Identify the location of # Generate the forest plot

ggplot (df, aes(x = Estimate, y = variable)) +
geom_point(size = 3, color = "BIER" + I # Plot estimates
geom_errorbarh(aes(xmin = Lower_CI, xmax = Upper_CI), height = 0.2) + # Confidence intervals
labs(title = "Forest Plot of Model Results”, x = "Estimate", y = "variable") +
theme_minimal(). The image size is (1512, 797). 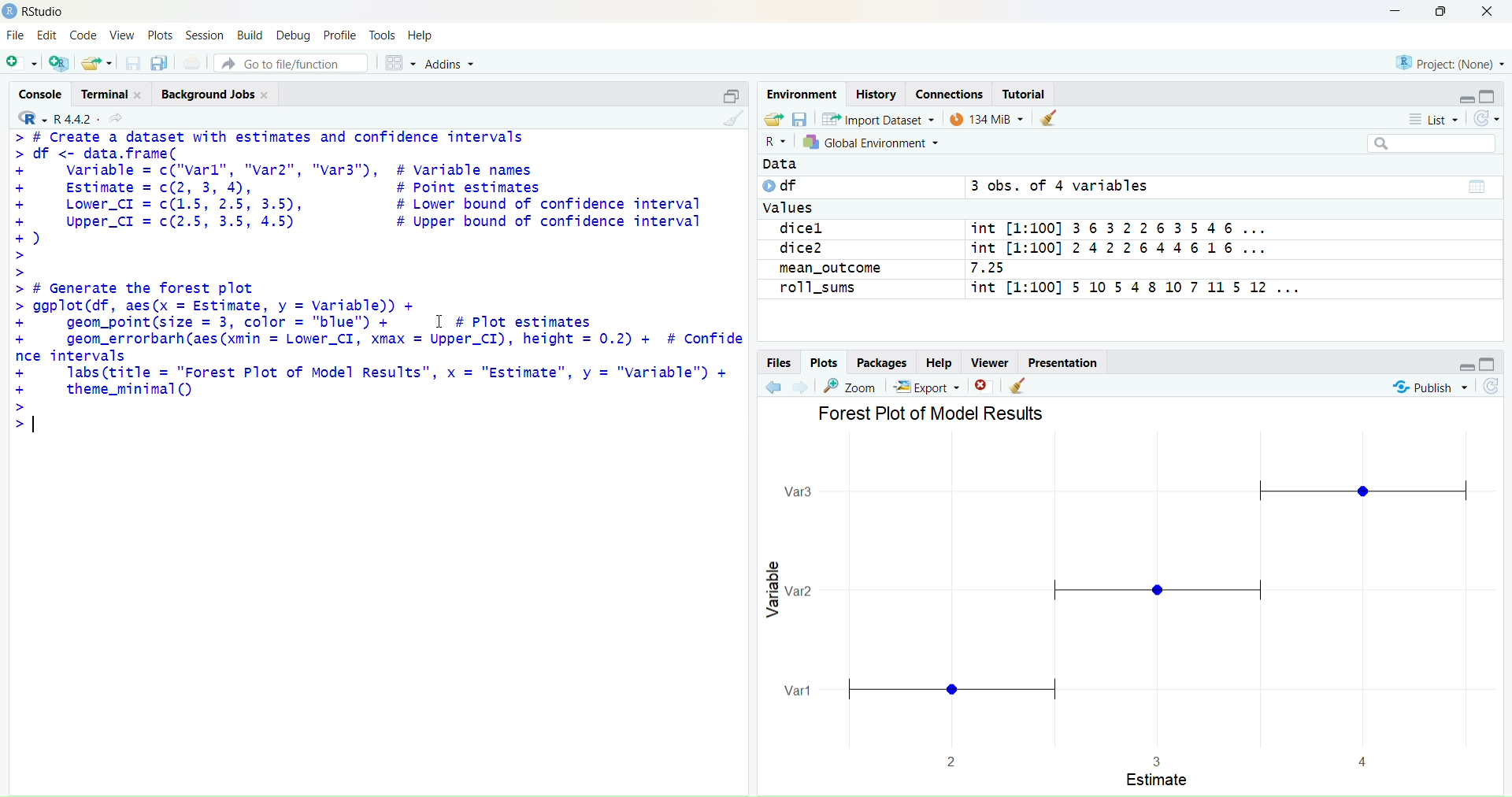
(378, 361).